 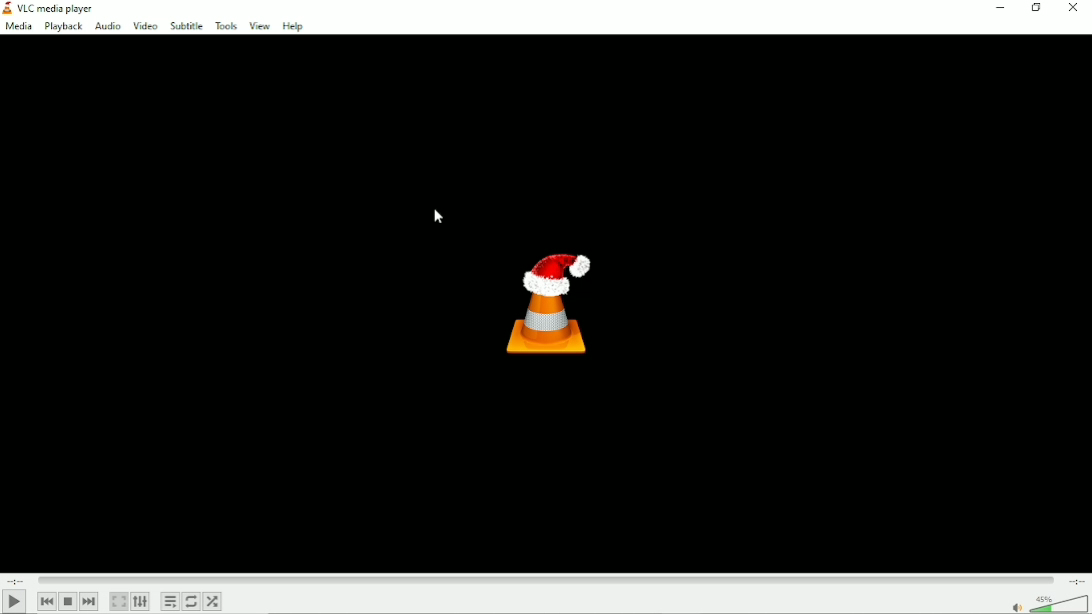 What do you see at coordinates (14, 602) in the screenshot?
I see `Play` at bounding box center [14, 602].